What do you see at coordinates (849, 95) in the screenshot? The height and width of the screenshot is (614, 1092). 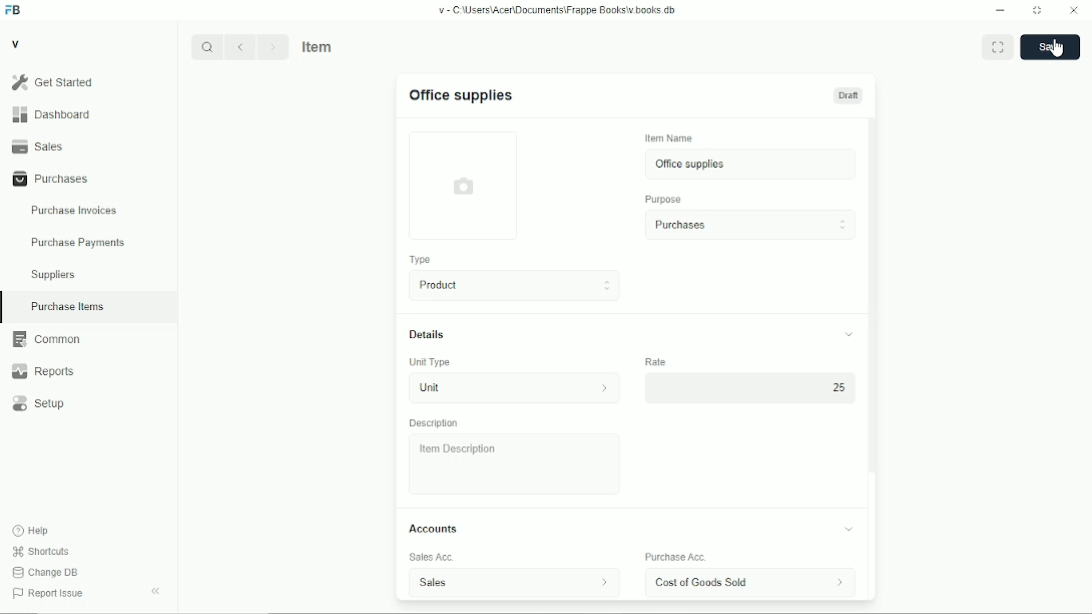 I see `draft` at bounding box center [849, 95].